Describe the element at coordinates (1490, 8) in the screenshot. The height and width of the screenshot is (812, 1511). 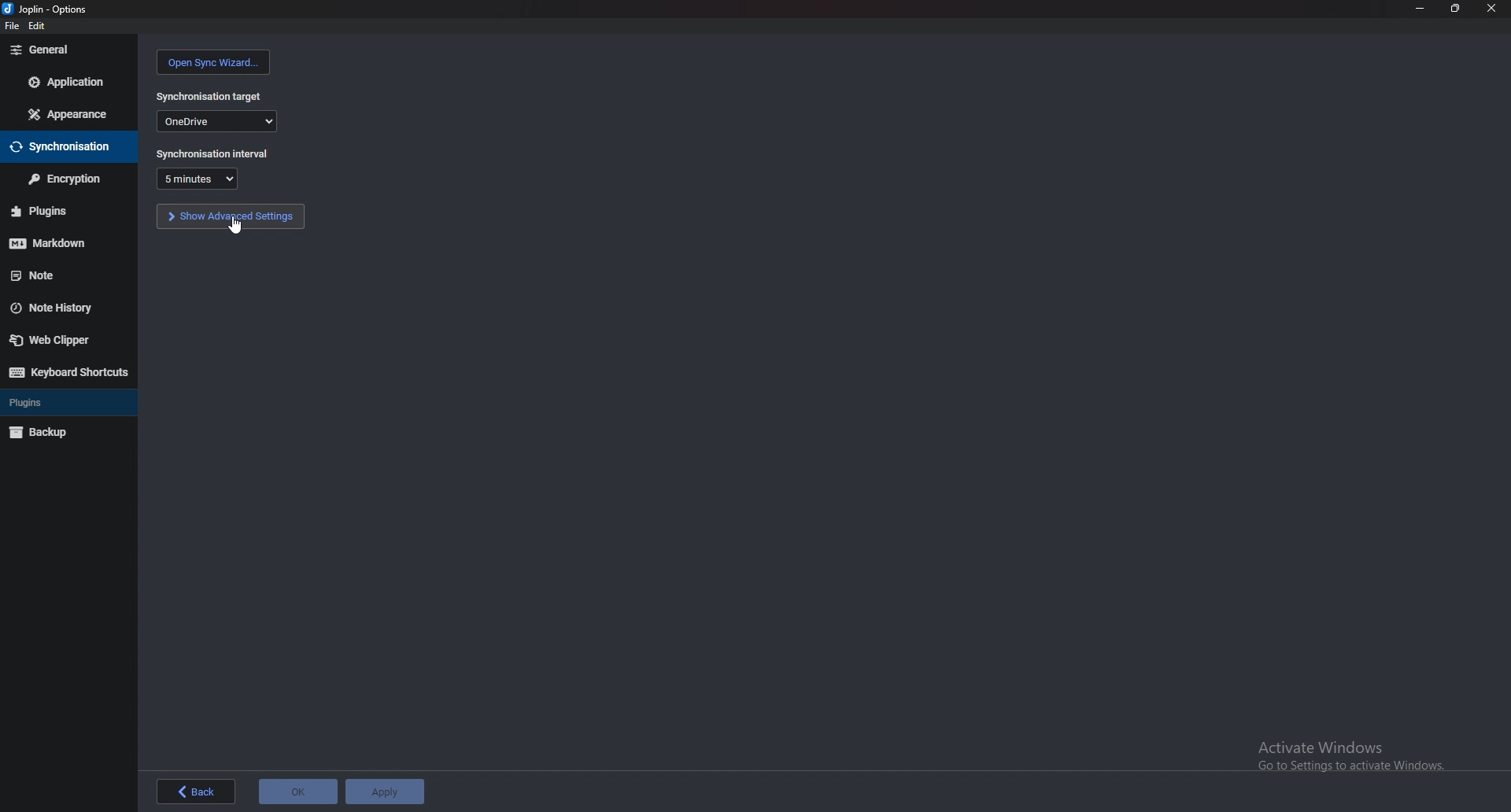
I see `close` at that location.